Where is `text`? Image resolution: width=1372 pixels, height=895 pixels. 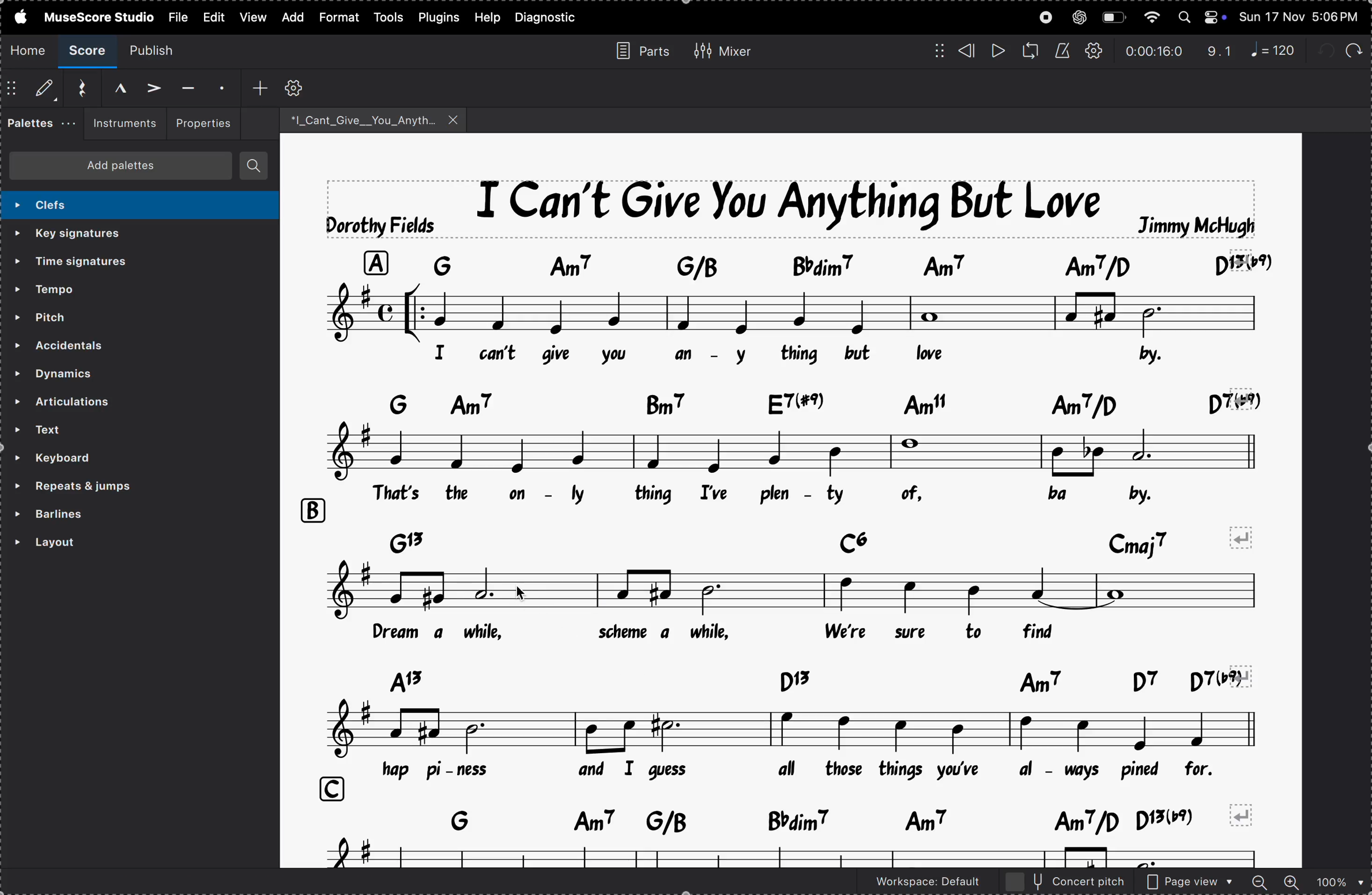
text is located at coordinates (118, 430).